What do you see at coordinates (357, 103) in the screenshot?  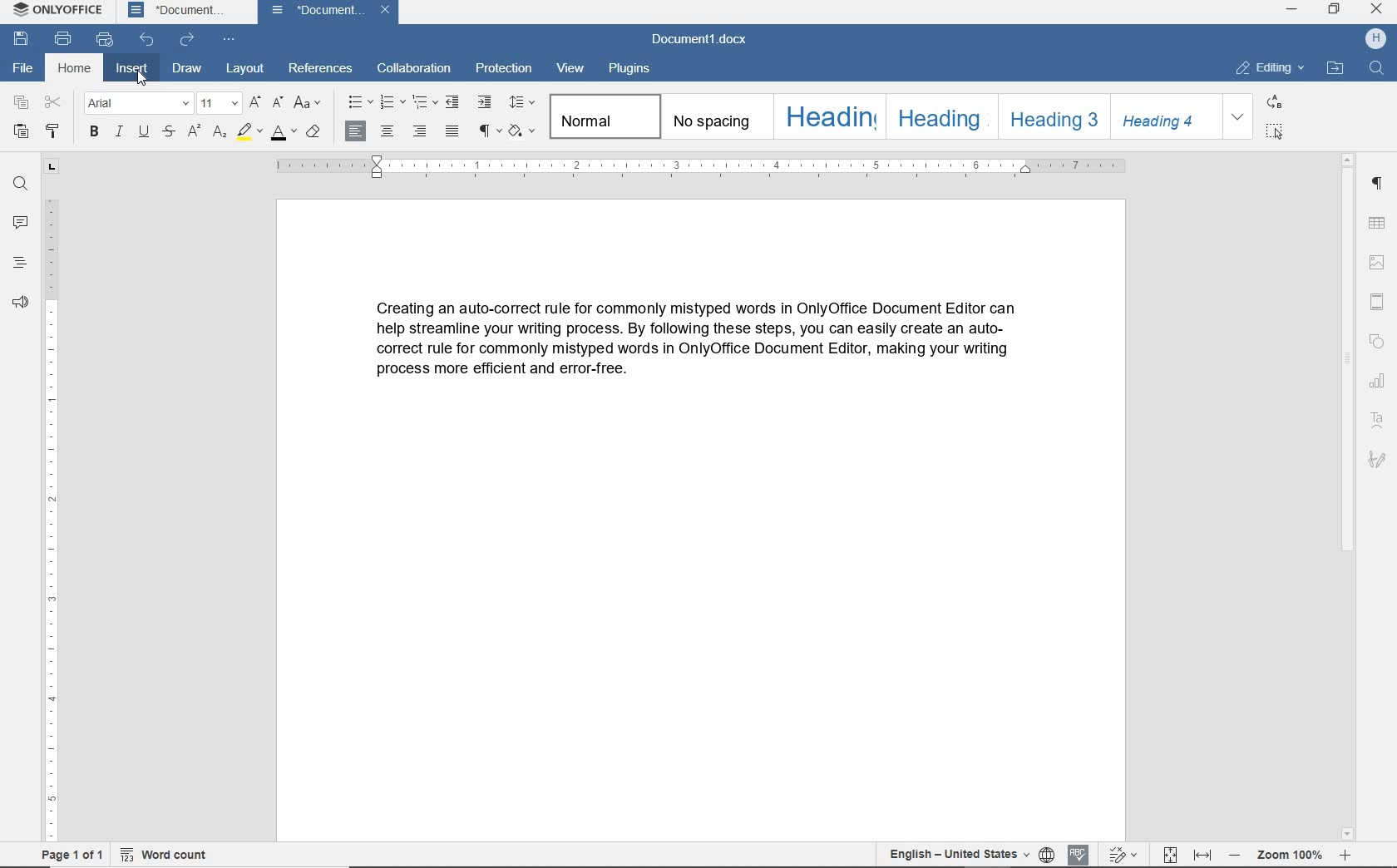 I see `bullets` at bounding box center [357, 103].